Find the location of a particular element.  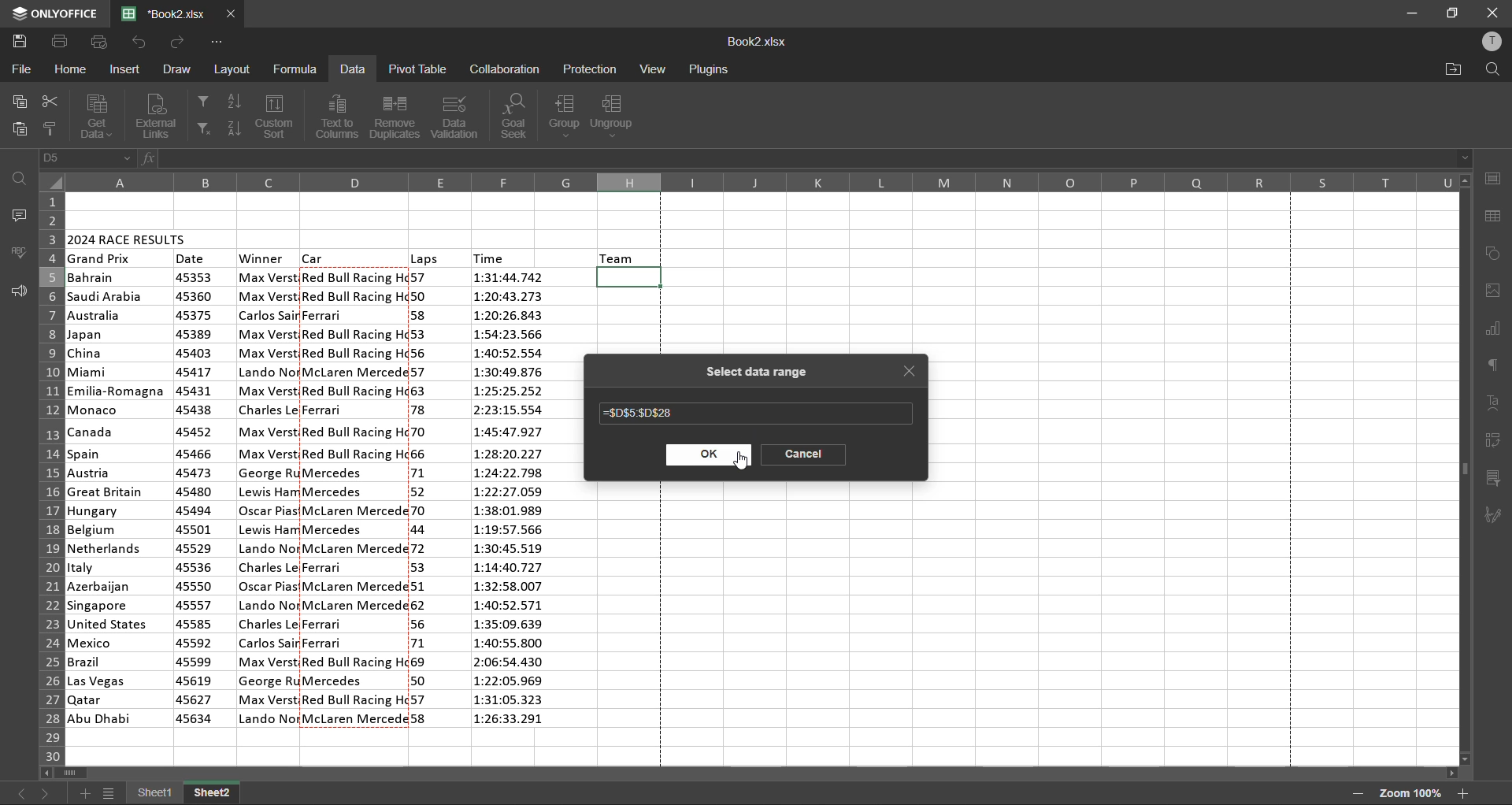

redo is located at coordinates (179, 42).